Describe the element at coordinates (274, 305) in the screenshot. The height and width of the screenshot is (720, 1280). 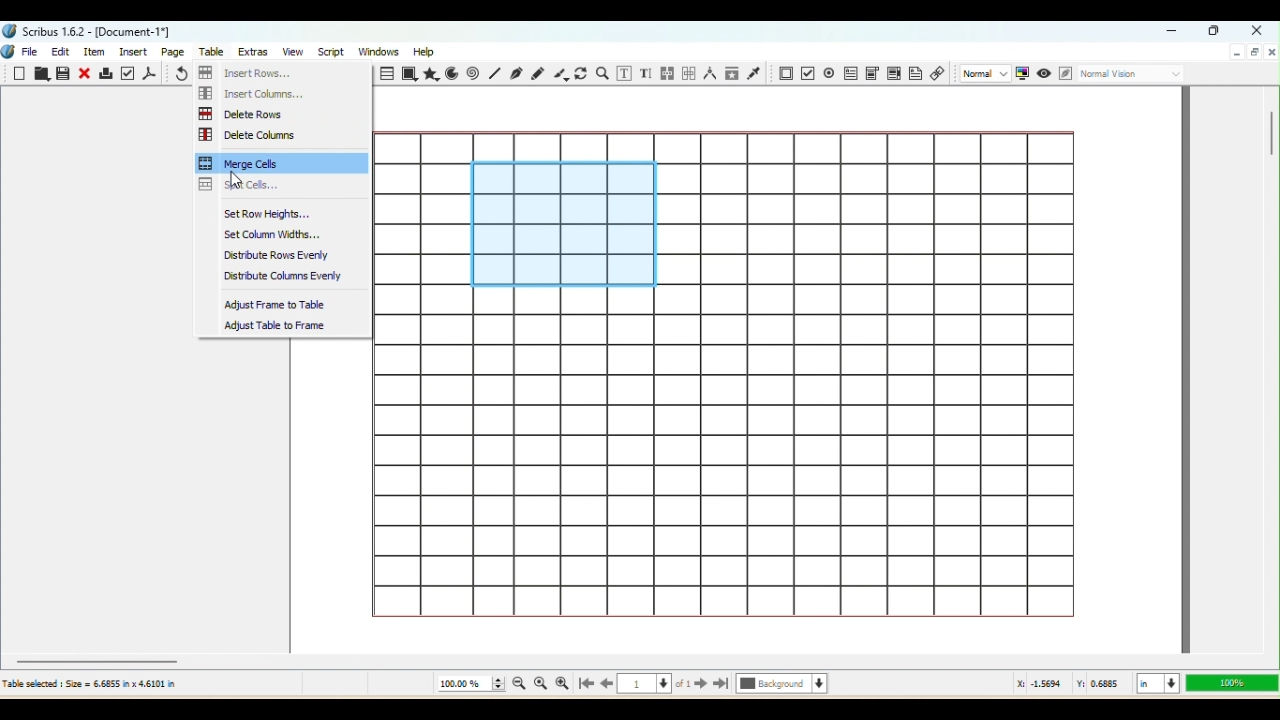
I see `Adjust frame to table` at that location.